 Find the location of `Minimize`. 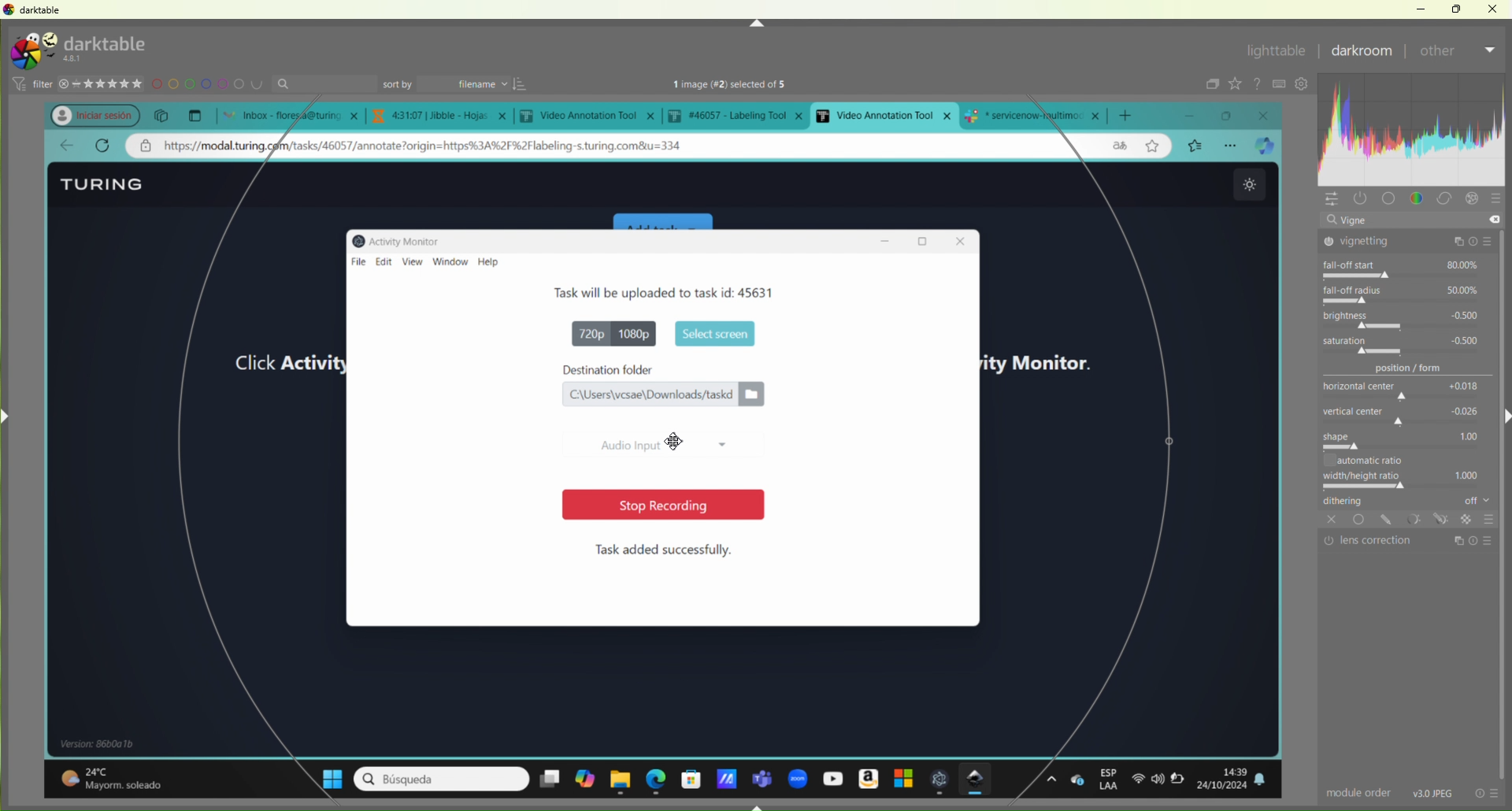

Minimize is located at coordinates (1422, 9).